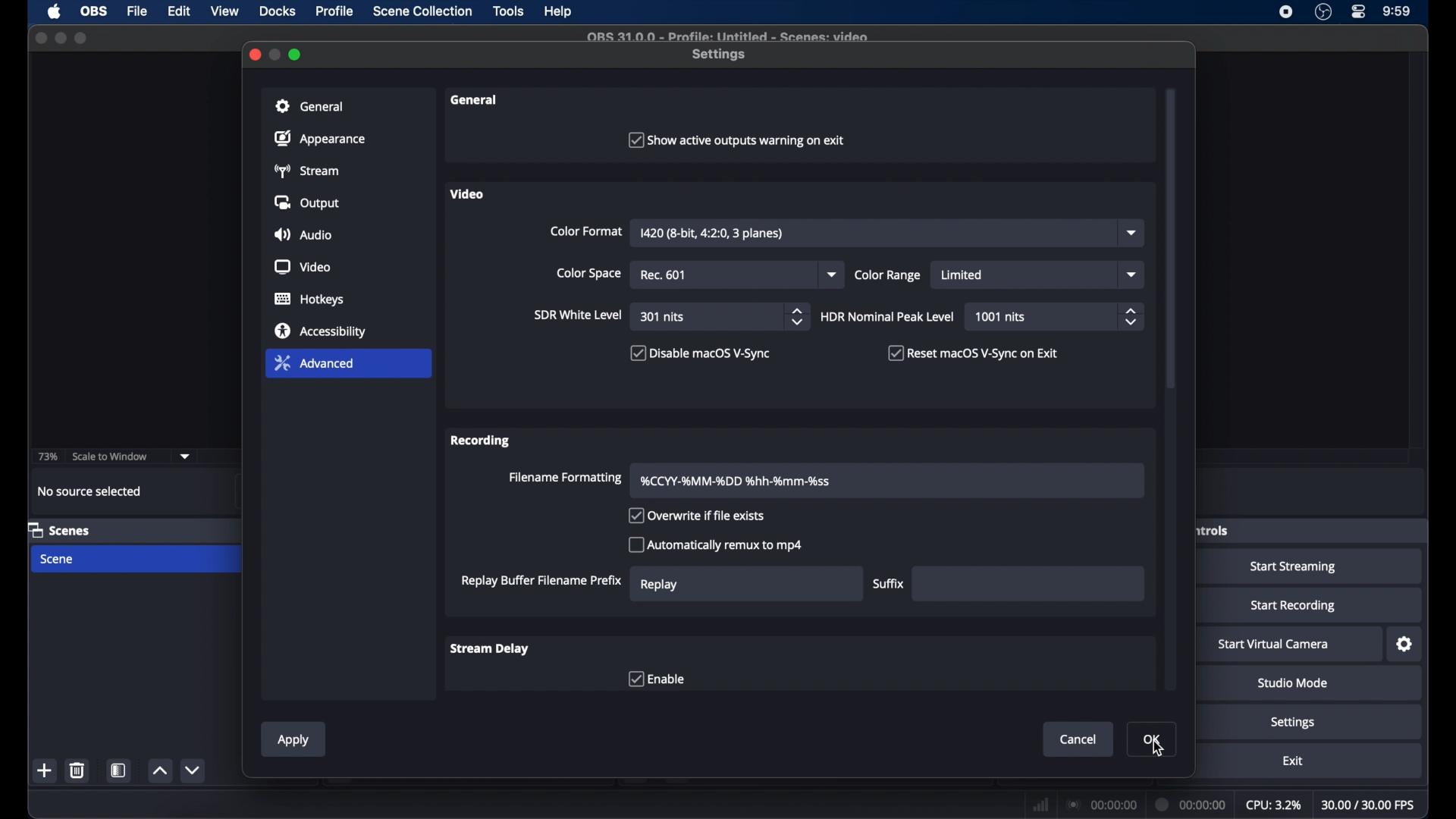 The height and width of the screenshot is (819, 1456). Describe the element at coordinates (701, 354) in the screenshot. I see `checkbox` at that location.